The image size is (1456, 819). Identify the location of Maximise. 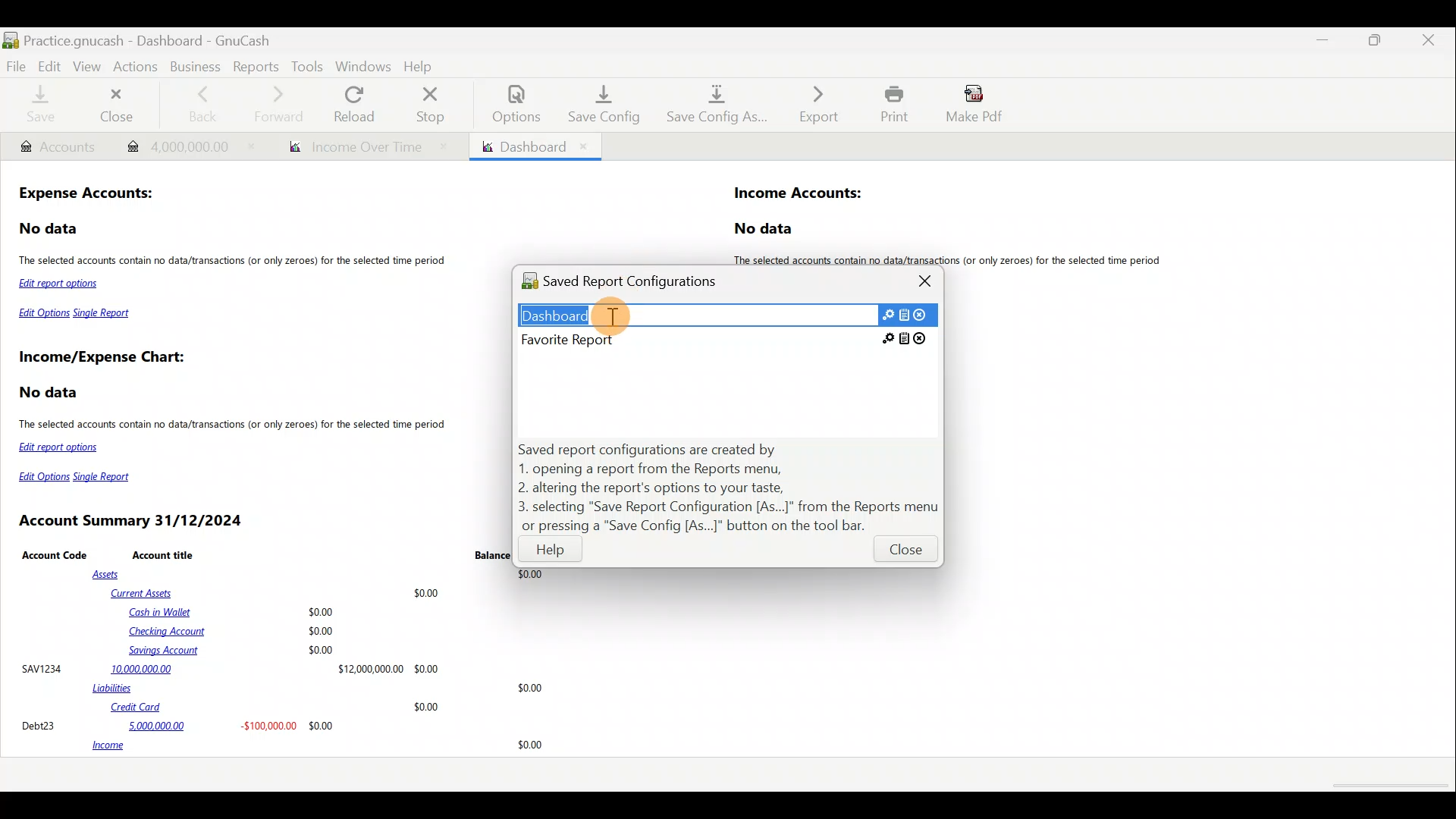
(1378, 45).